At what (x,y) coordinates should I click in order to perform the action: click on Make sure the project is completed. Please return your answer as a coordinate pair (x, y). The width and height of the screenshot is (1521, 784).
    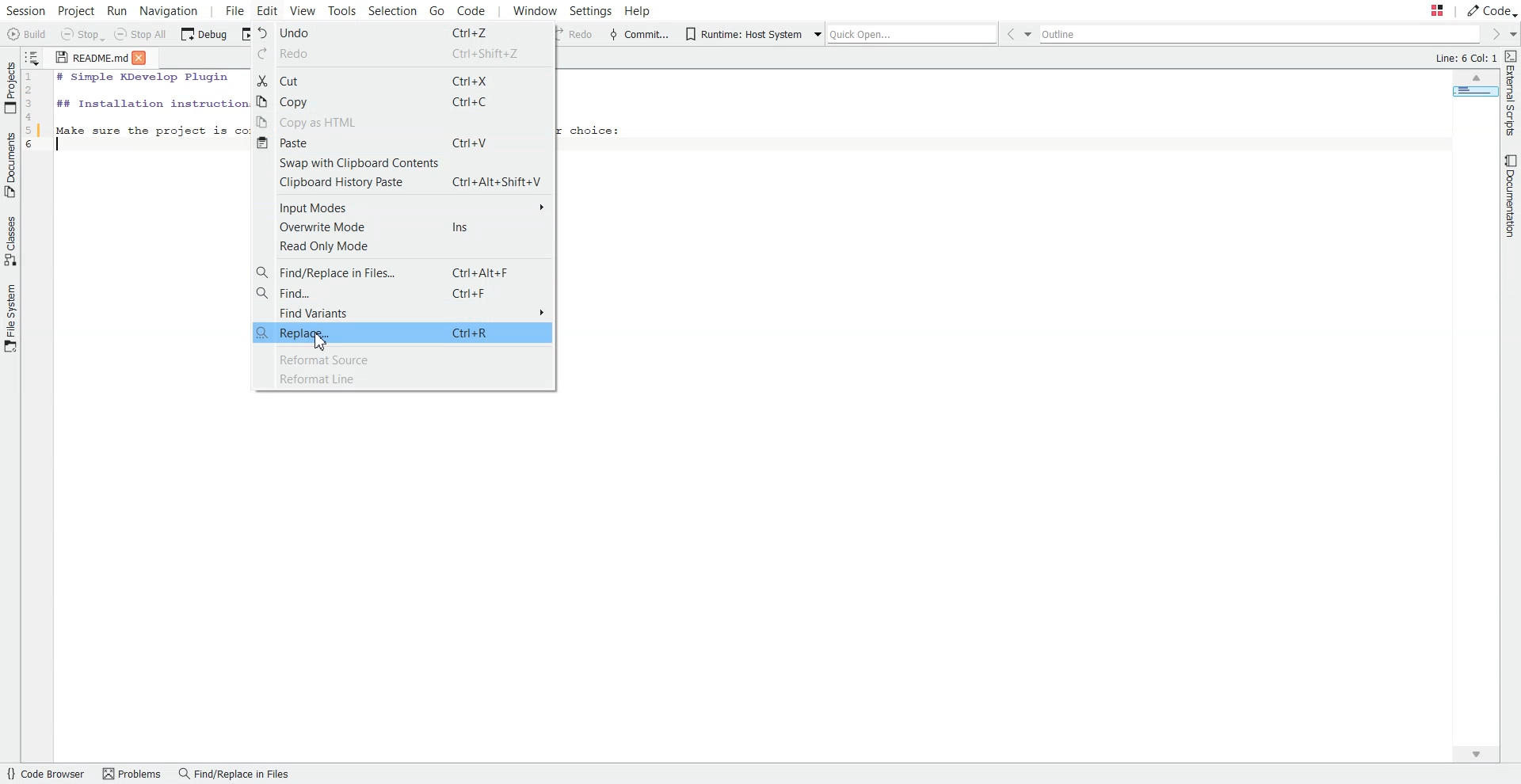
    Looking at the image, I should click on (152, 127).